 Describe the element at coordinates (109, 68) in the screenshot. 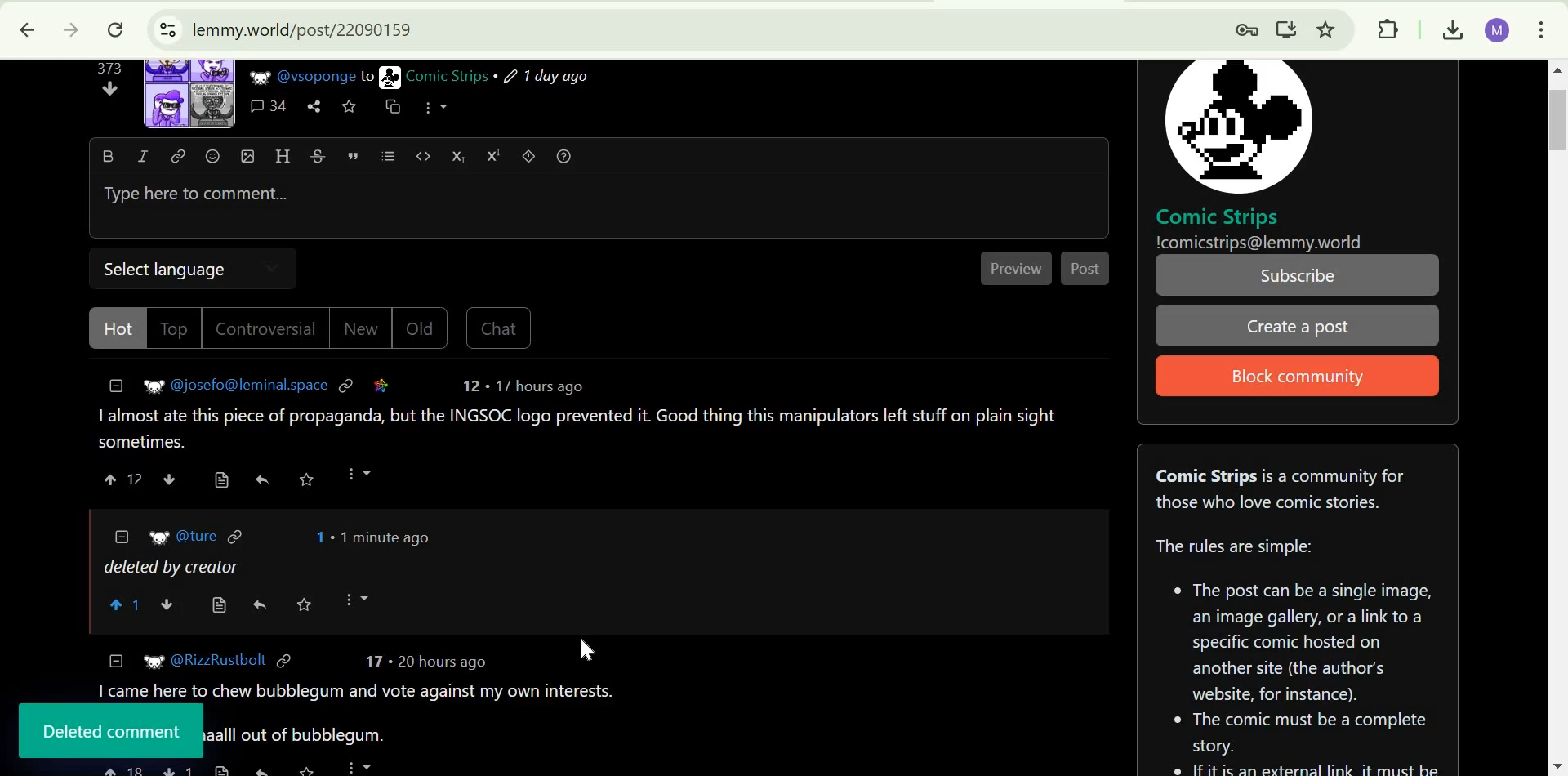

I see `373 points` at that location.